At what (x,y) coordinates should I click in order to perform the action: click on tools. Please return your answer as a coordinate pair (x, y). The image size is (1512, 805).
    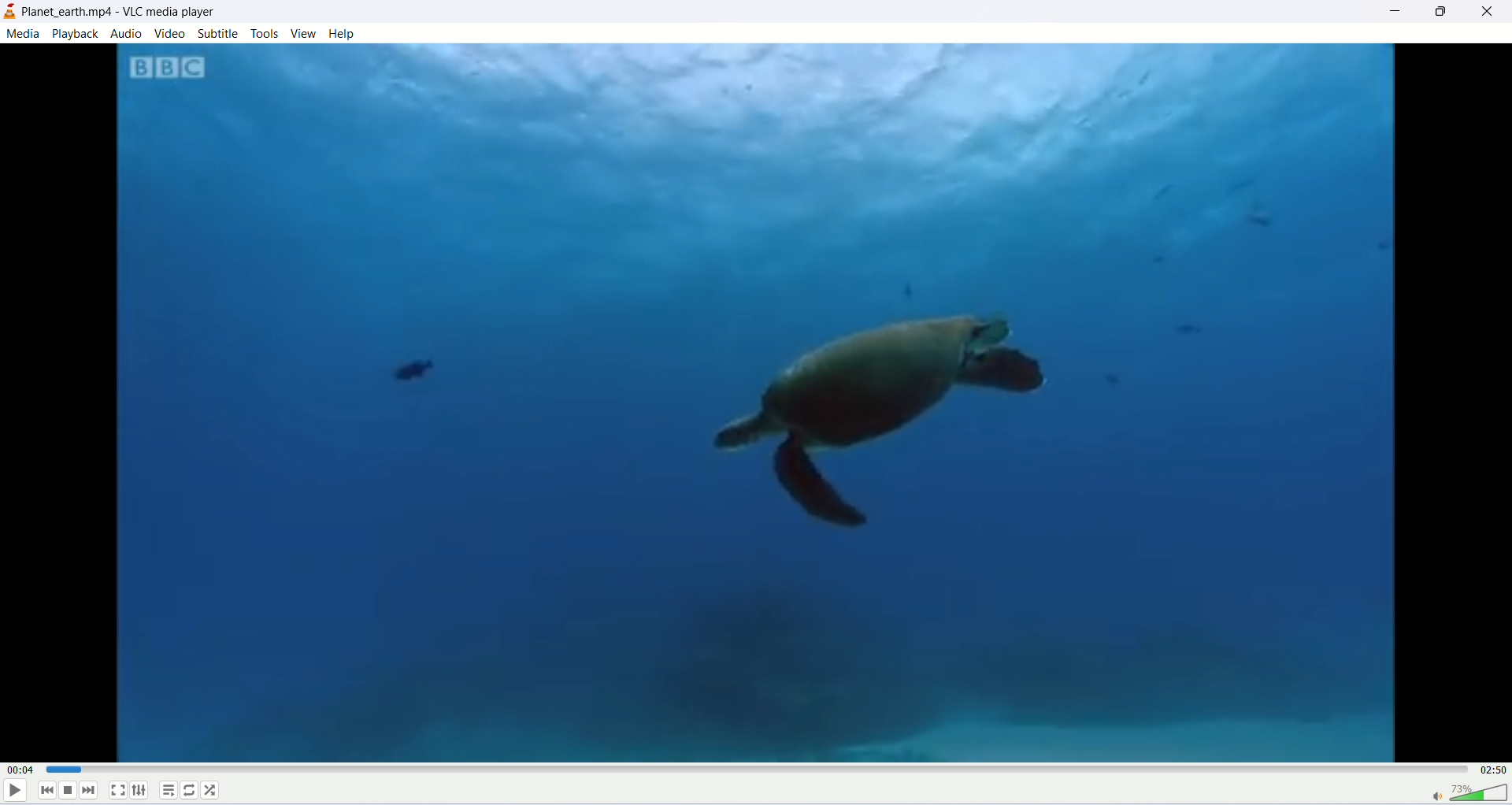
    Looking at the image, I should click on (263, 32).